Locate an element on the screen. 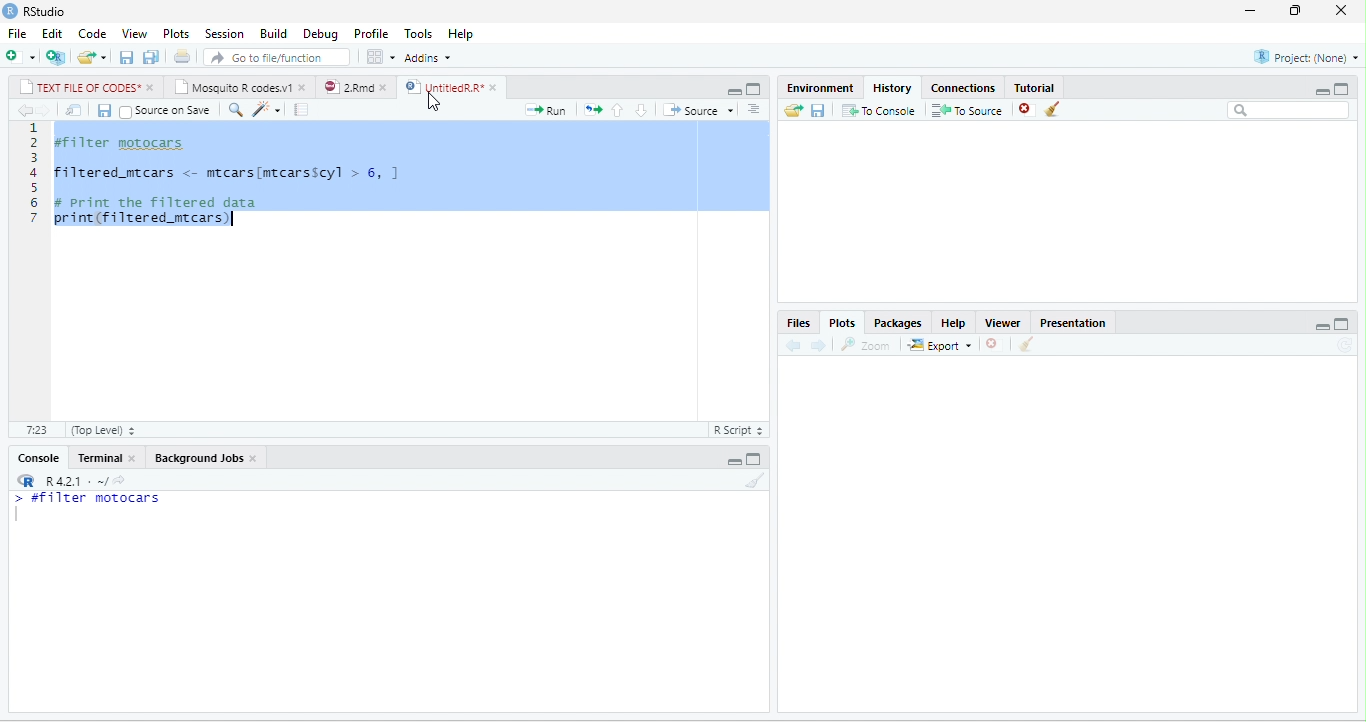  close is located at coordinates (1341, 10).